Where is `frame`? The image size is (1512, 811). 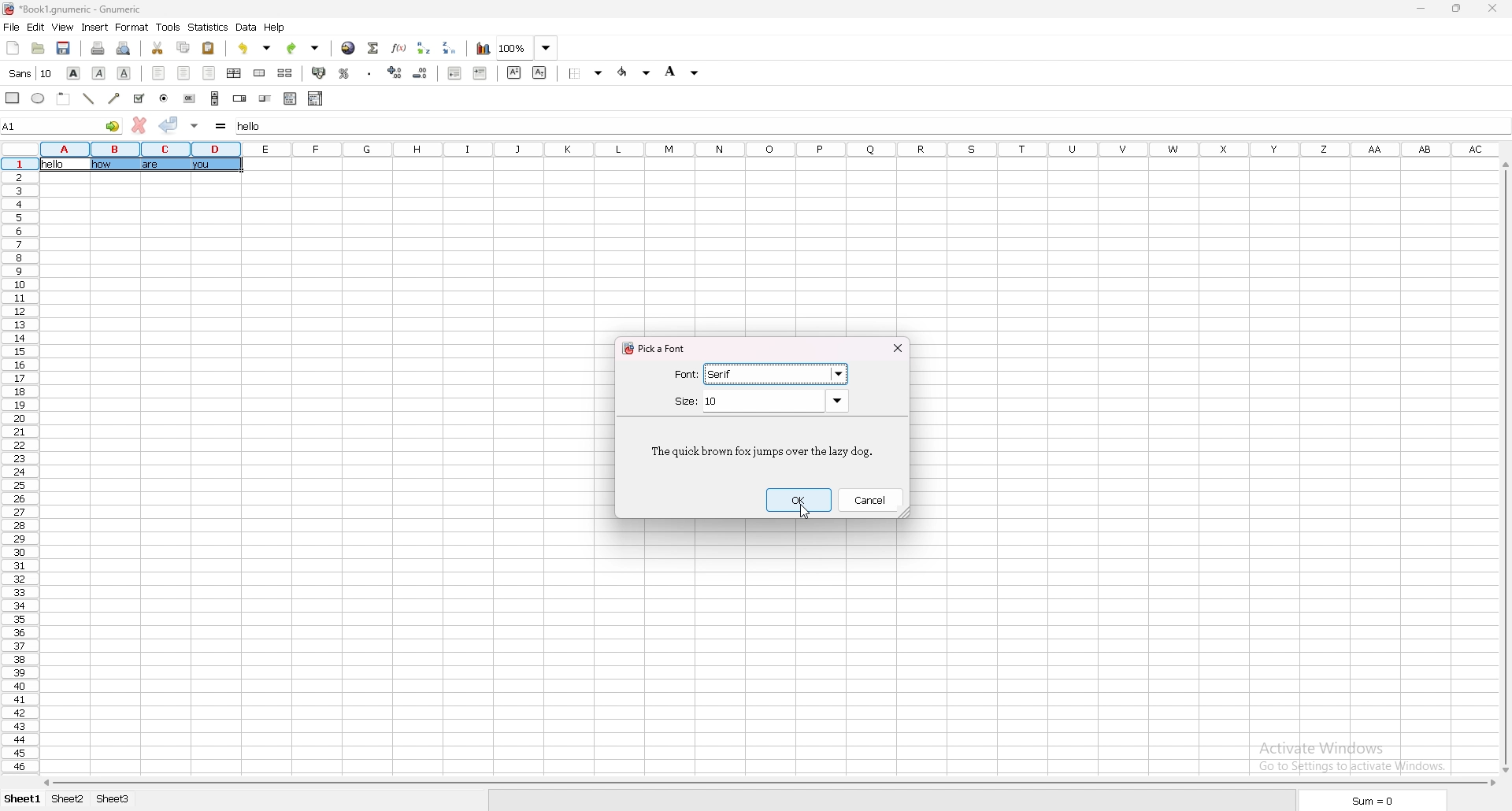 frame is located at coordinates (63, 98).